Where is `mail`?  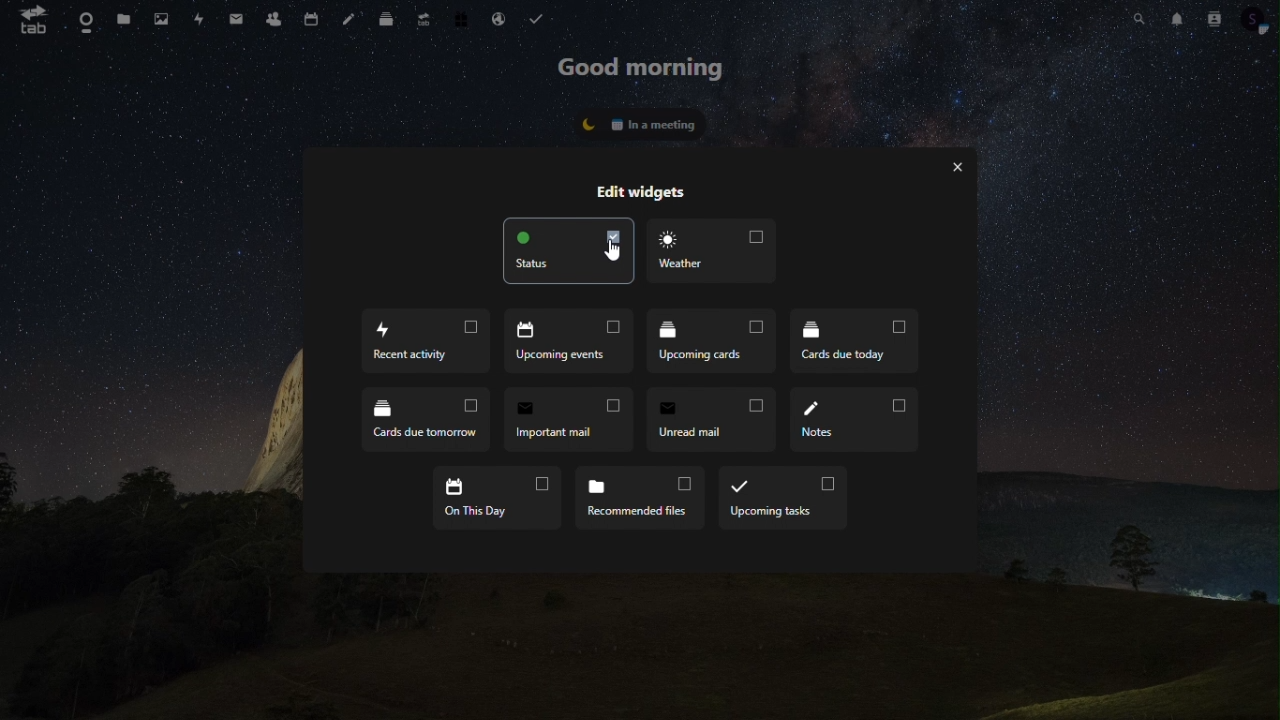
mail is located at coordinates (233, 20).